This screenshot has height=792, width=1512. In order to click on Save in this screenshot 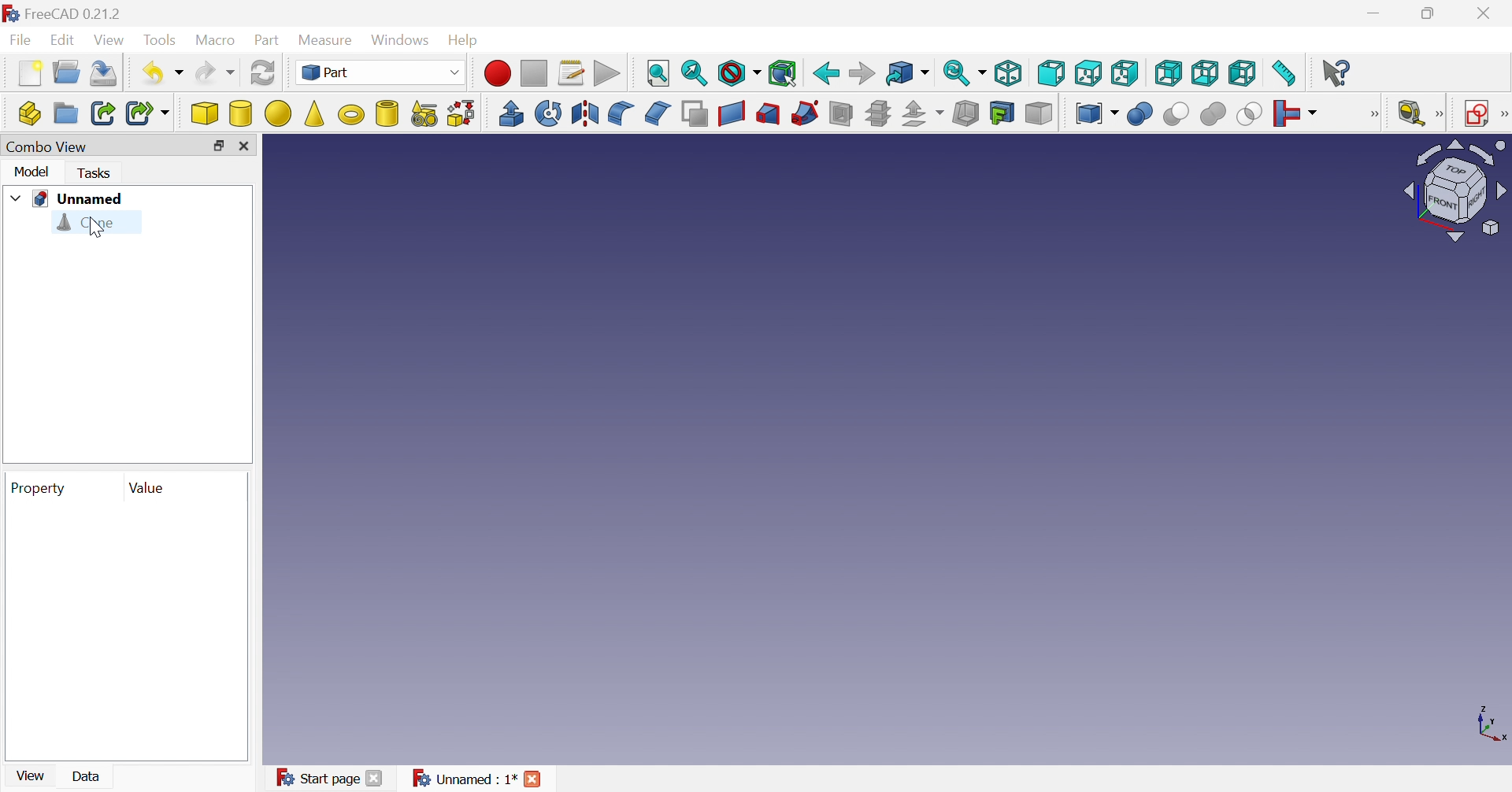, I will do `click(105, 73)`.